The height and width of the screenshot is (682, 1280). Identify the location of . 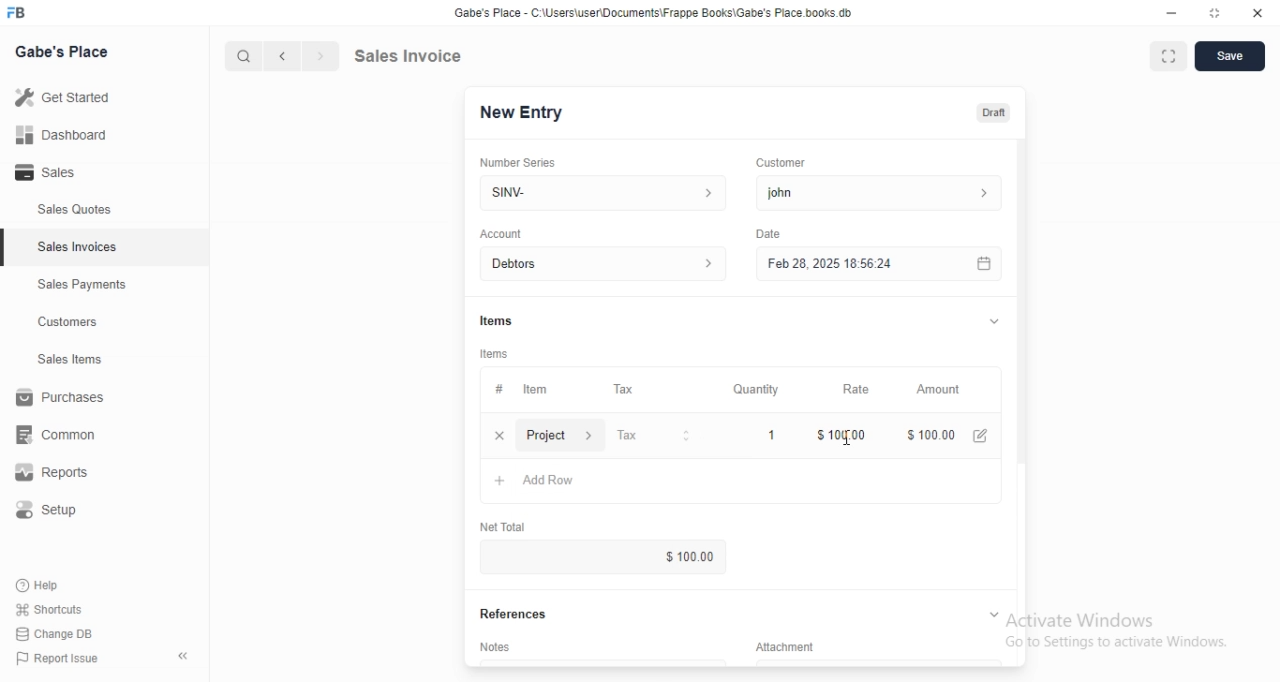
(498, 389).